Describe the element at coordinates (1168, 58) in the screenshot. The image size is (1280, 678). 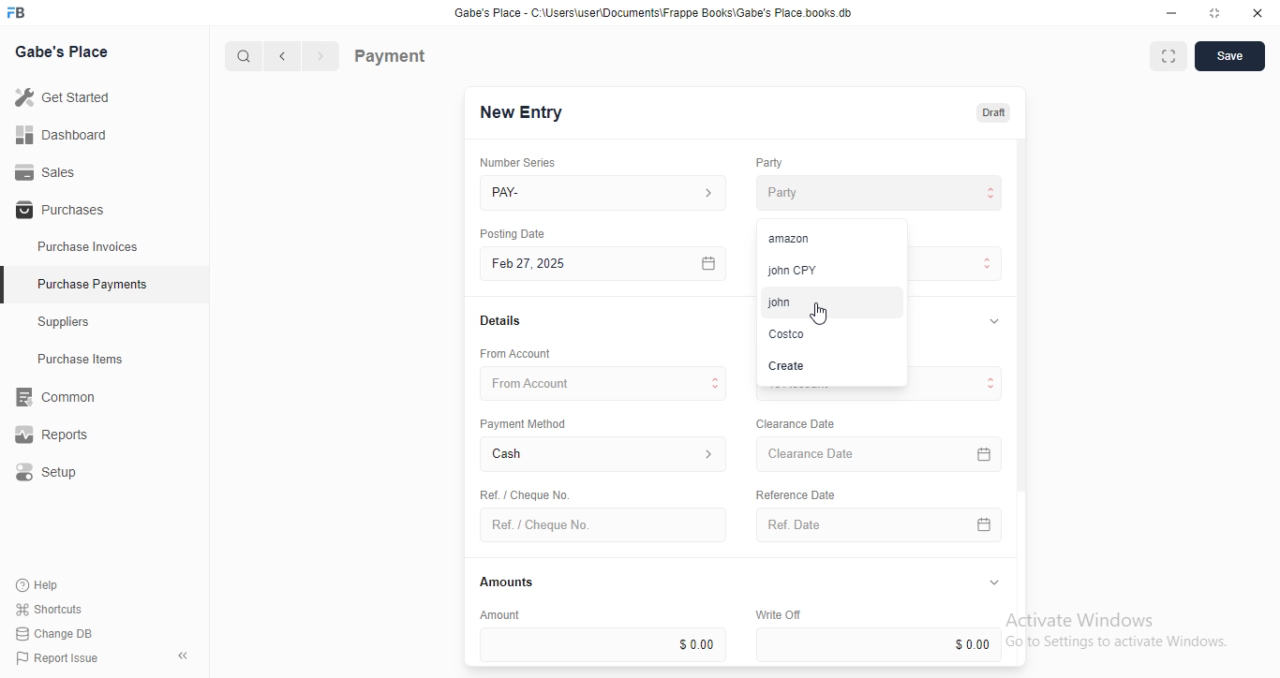
I see `fit to window` at that location.